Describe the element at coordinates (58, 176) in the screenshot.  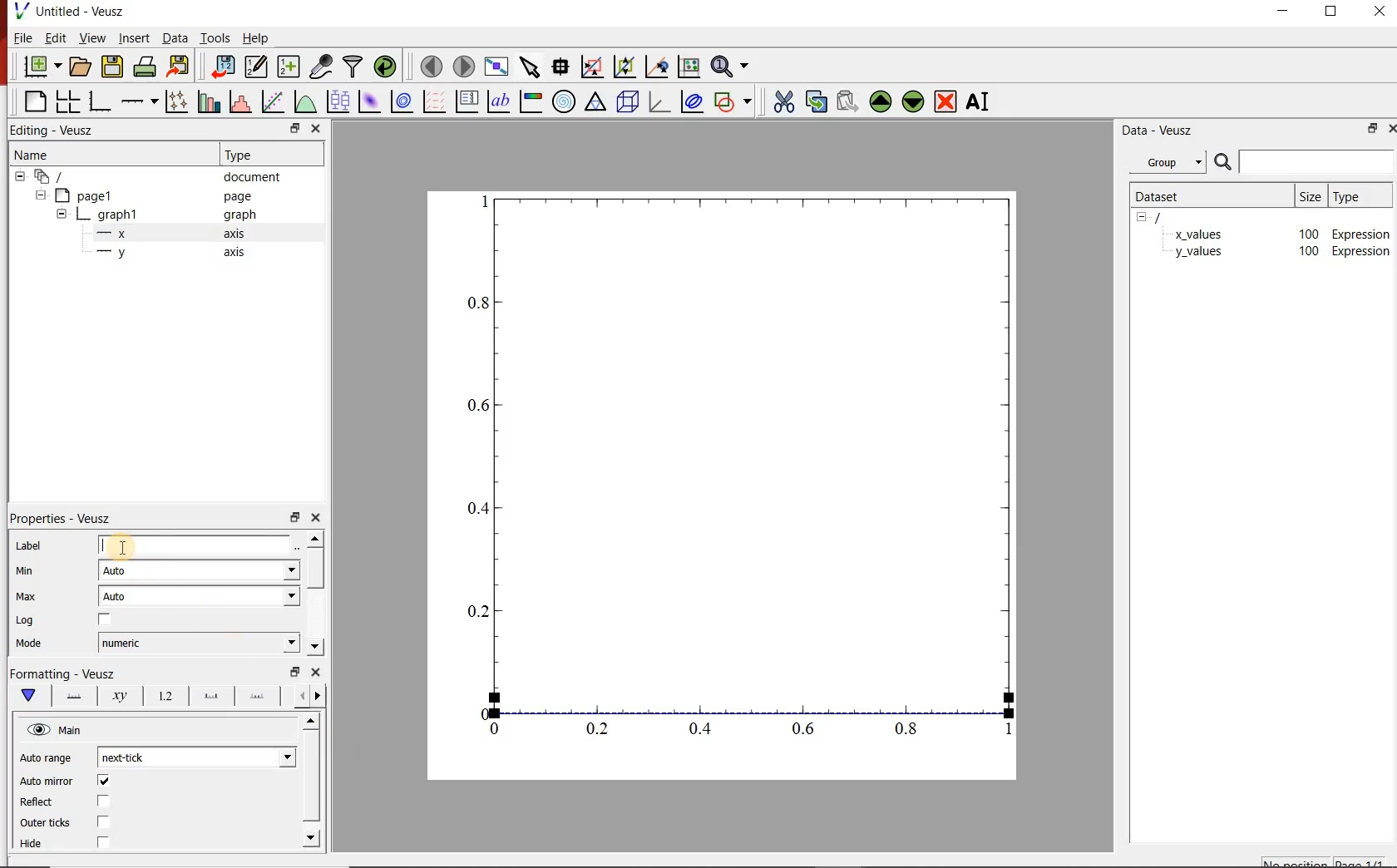
I see `all apegs` at that location.